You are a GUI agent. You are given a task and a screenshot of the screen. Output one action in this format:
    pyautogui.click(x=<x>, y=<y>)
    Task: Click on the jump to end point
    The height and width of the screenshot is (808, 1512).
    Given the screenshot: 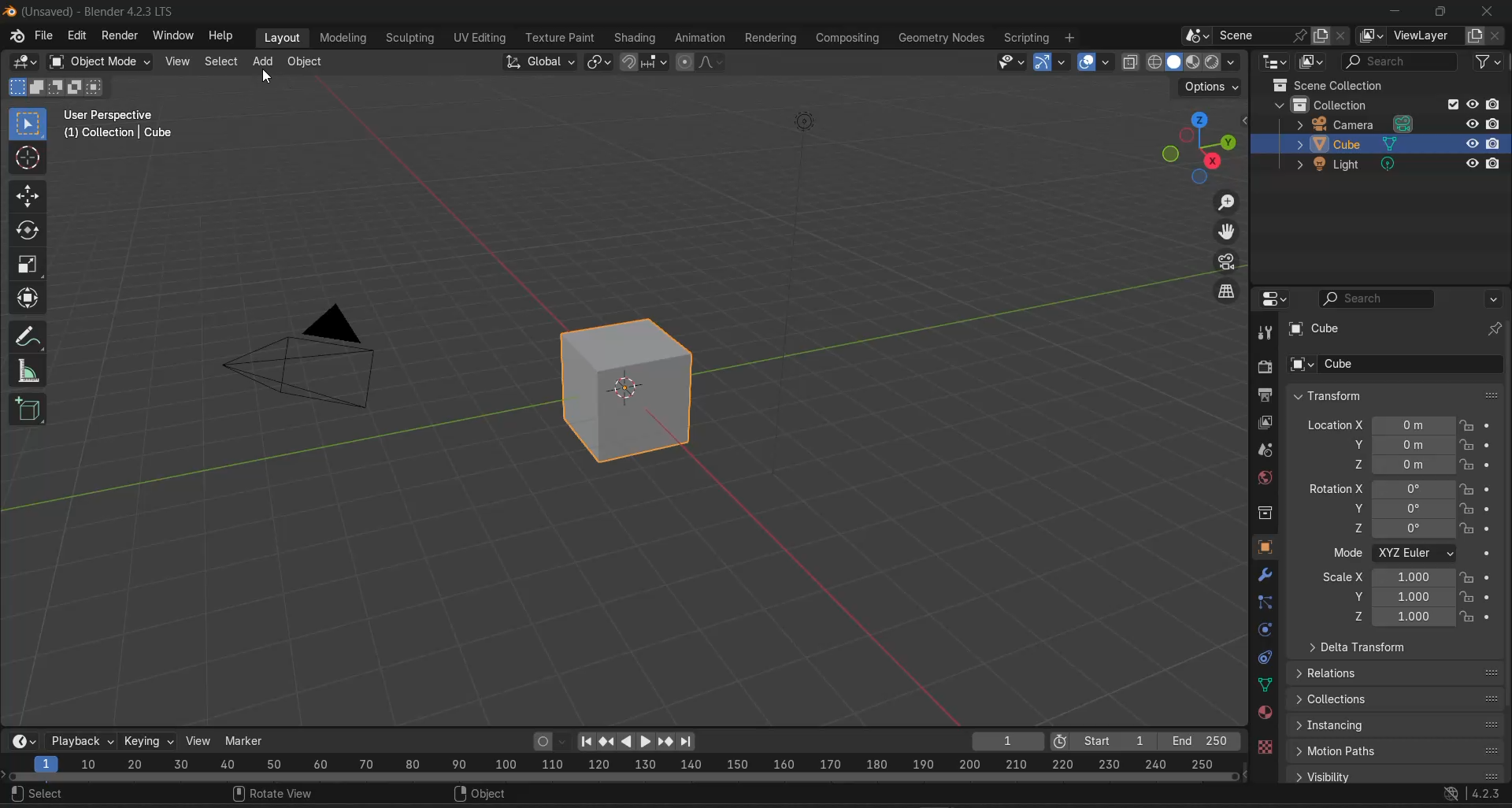 What is the action you would take?
    pyautogui.click(x=689, y=740)
    